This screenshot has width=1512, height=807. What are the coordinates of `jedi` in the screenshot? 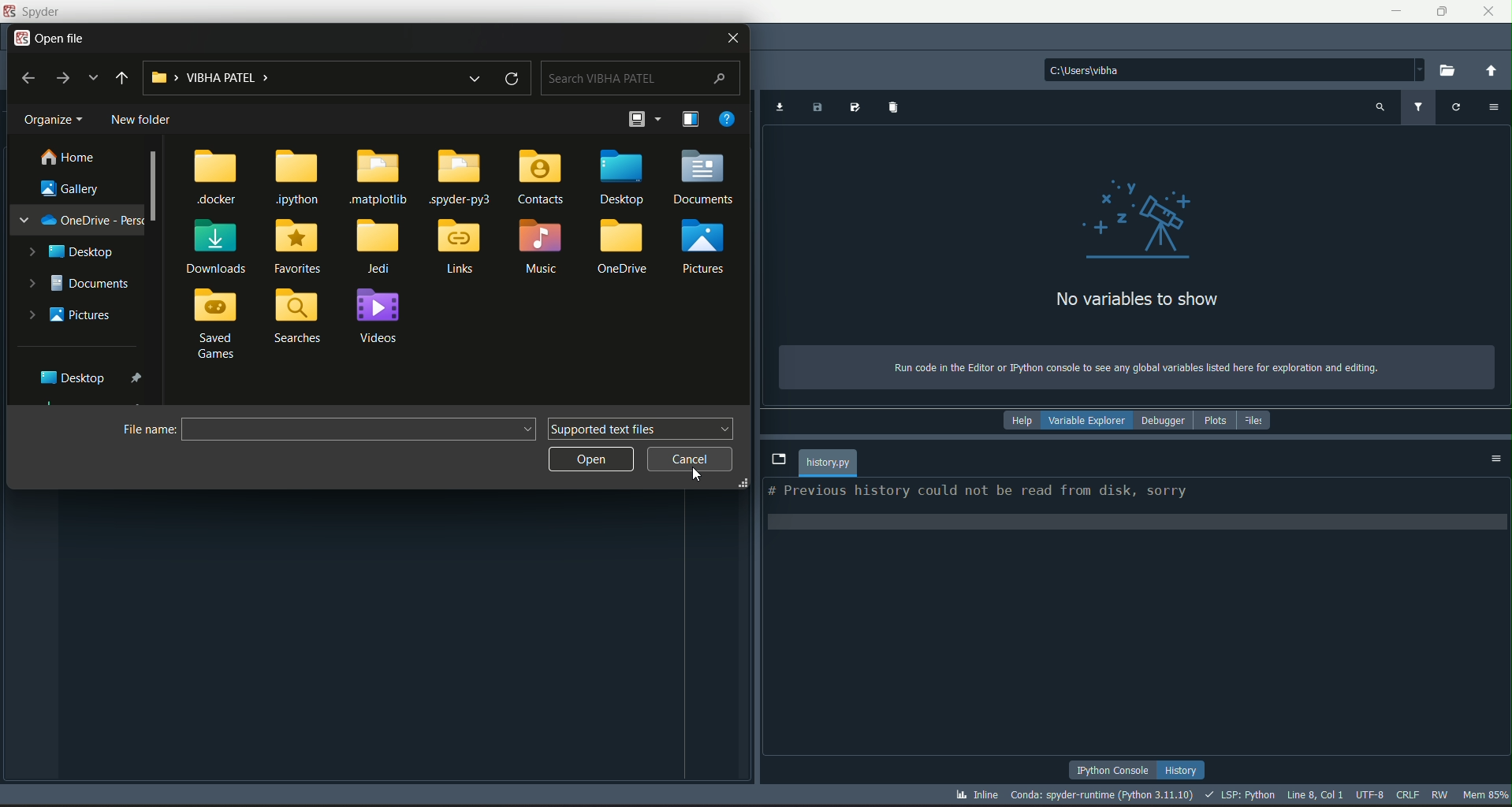 It's located at (379, 247).